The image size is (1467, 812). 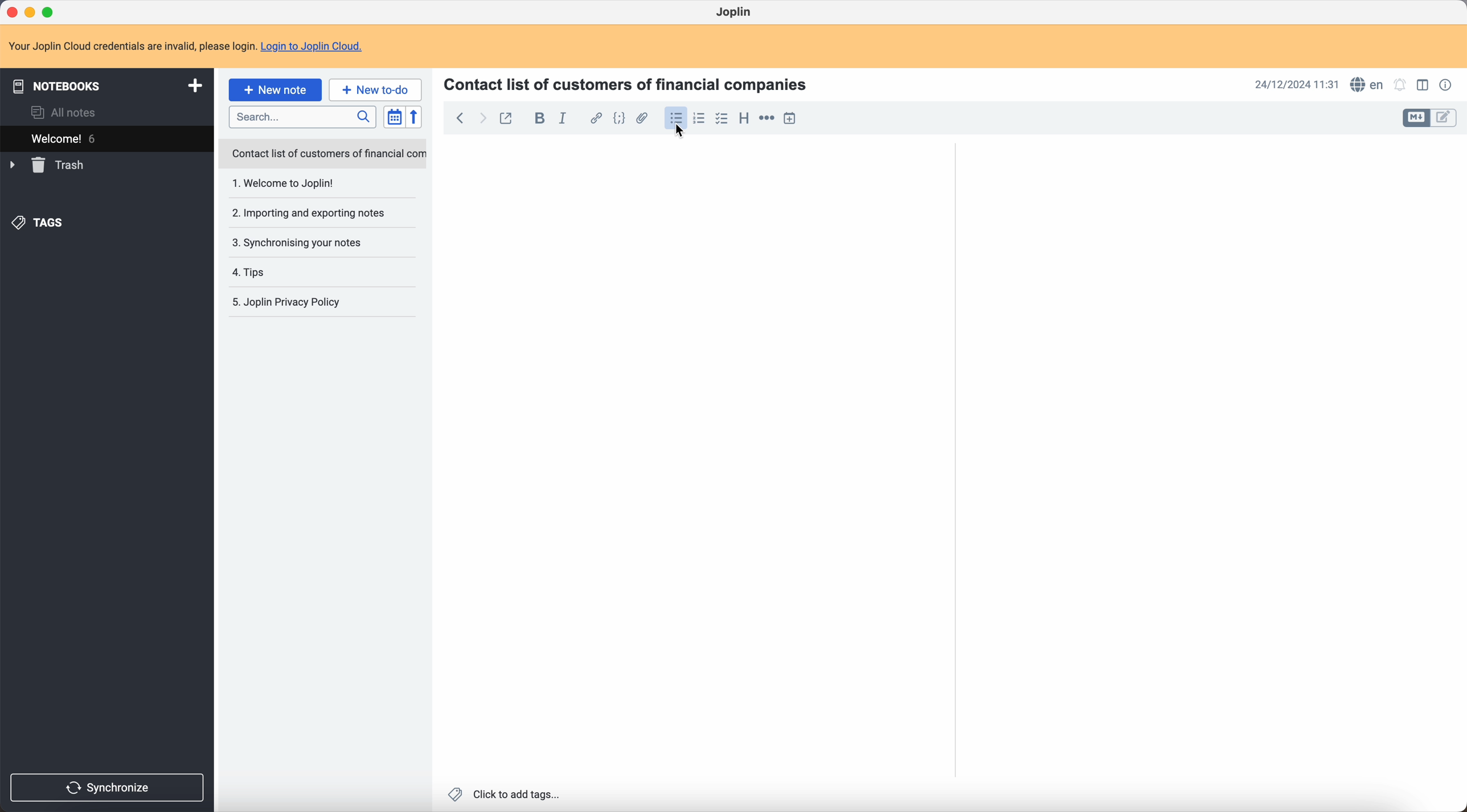 I want to click on reverse sort order, so click(x=413, y=117).